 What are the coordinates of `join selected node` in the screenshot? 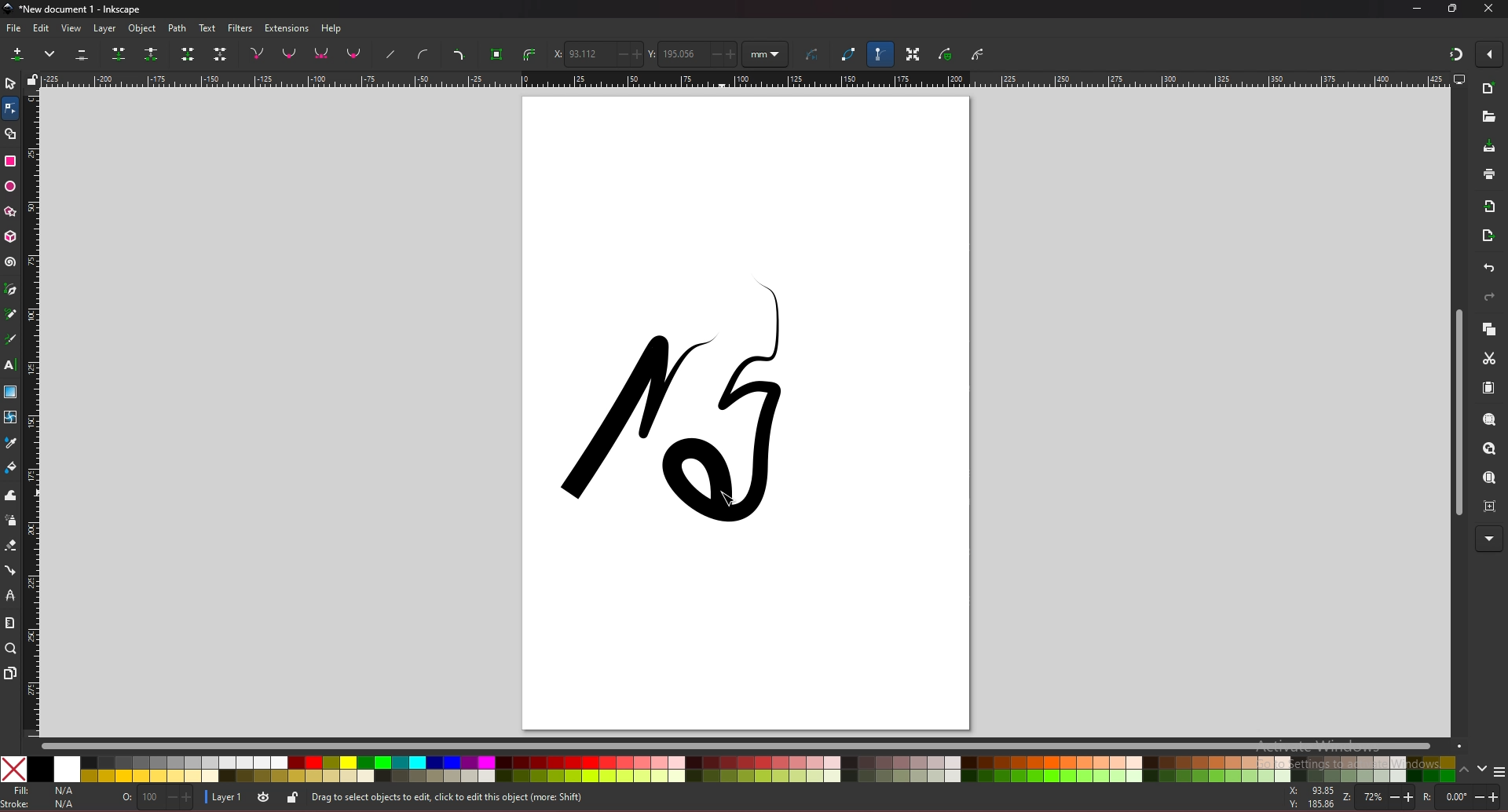 It's located at (118, 53).